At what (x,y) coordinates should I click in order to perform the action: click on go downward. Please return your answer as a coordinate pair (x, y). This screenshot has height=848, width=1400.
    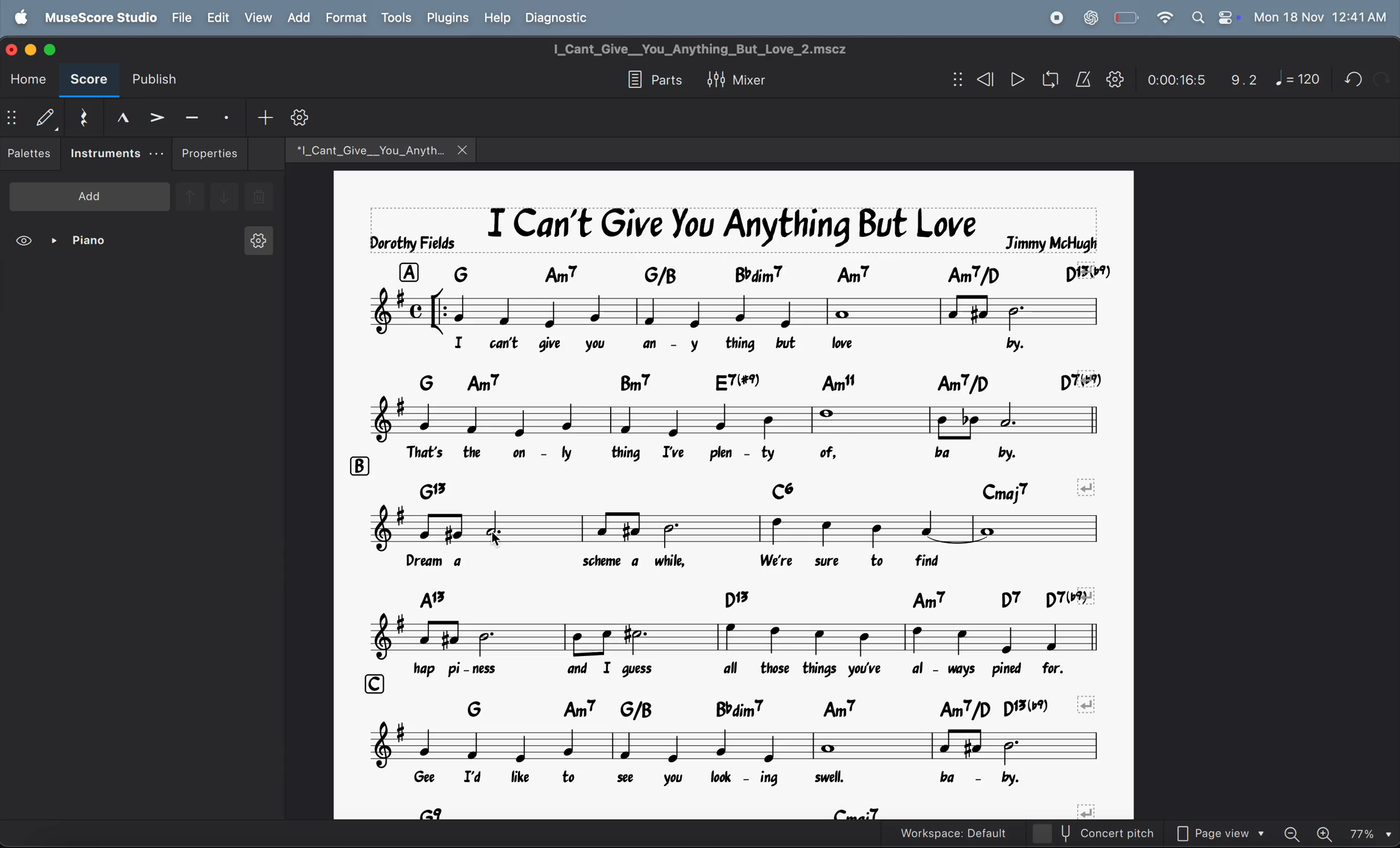
    Looking at the image, I should click on (226, 195).